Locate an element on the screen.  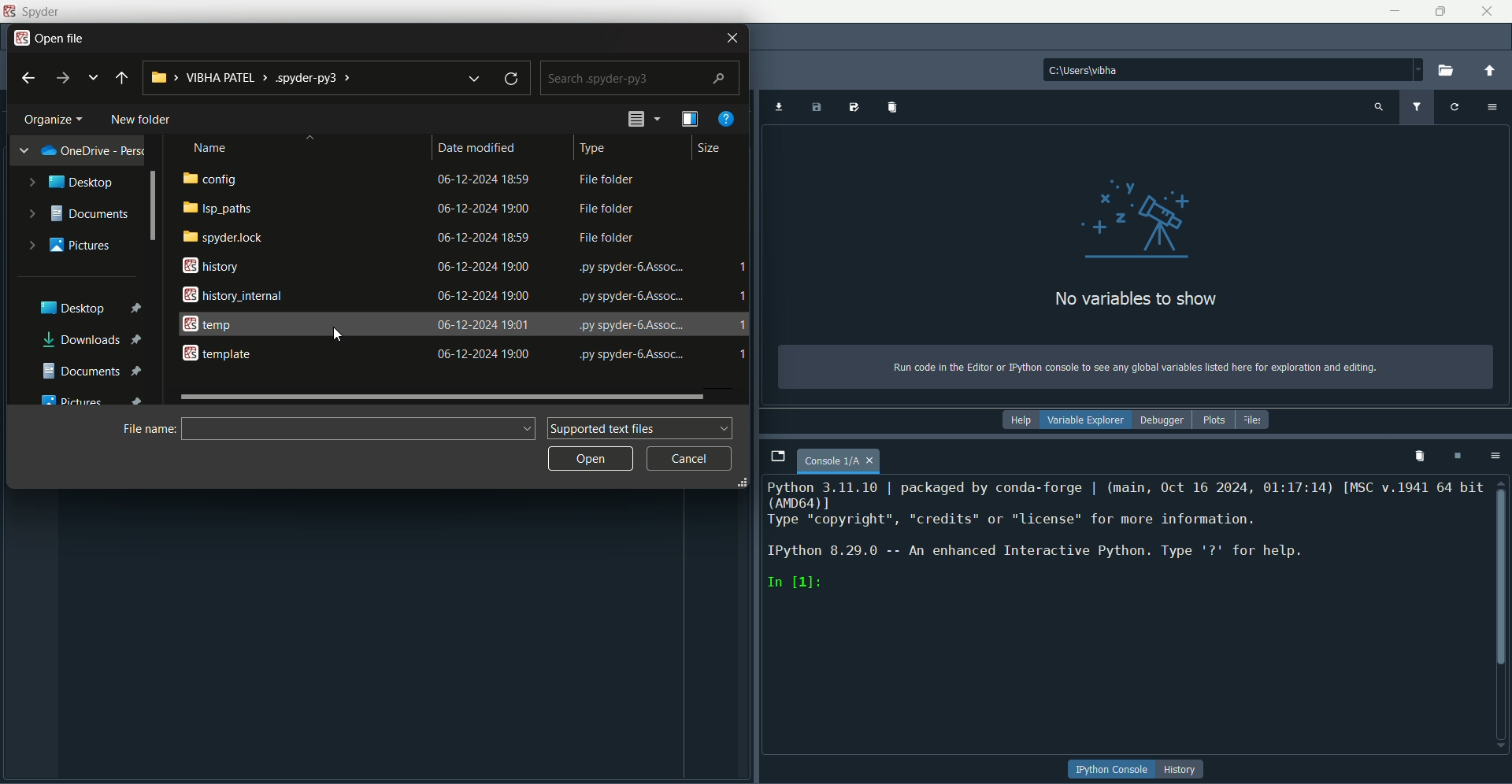
variable explorer is located at coordinates (1090, 420).